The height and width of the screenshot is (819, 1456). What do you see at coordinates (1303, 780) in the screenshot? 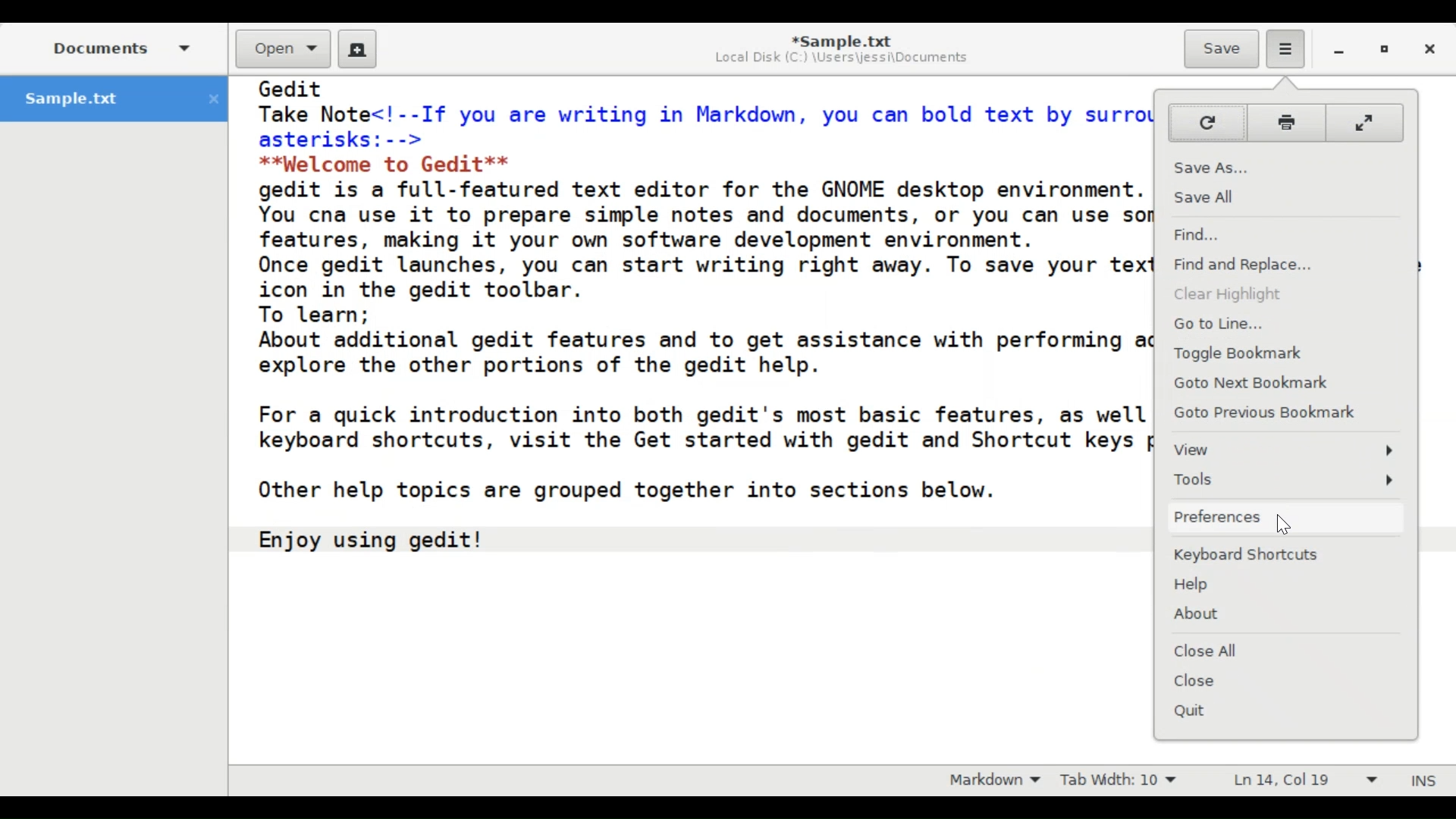
I see `Ln 14, Col 19` at bounding box center [1303, 780].